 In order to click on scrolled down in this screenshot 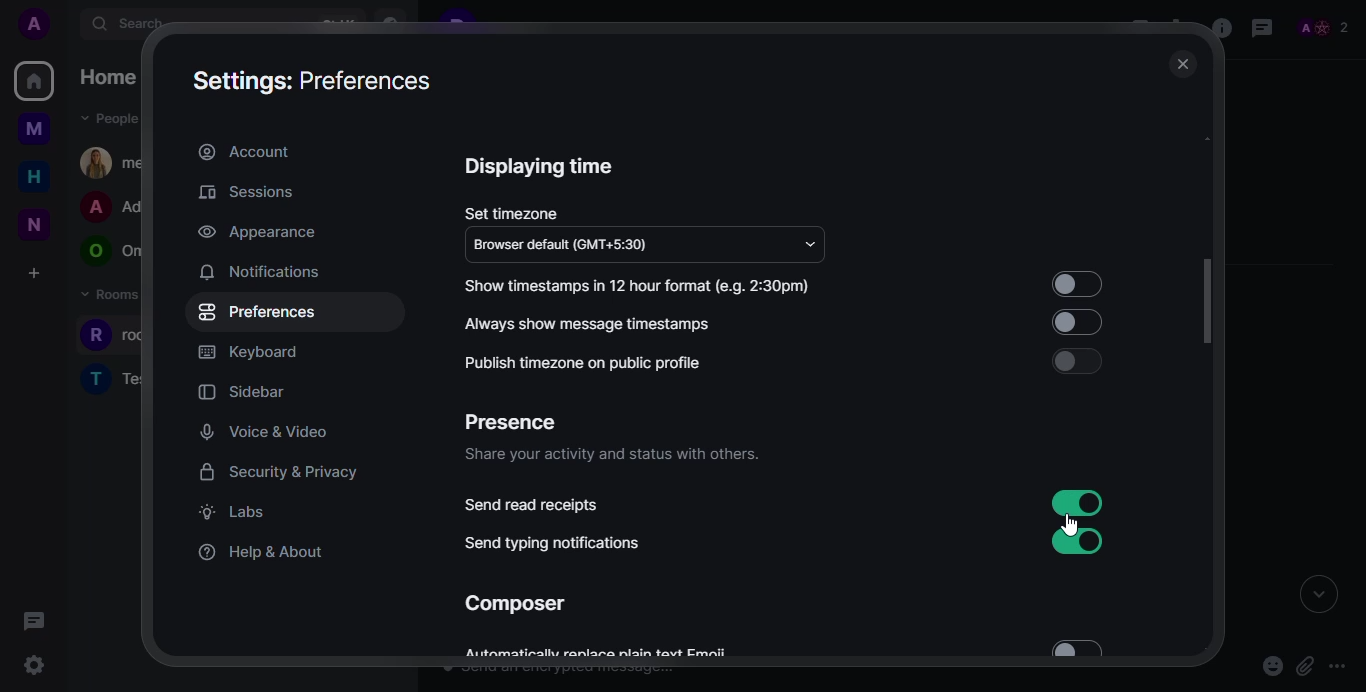, I will do `click(1211, 303)`.